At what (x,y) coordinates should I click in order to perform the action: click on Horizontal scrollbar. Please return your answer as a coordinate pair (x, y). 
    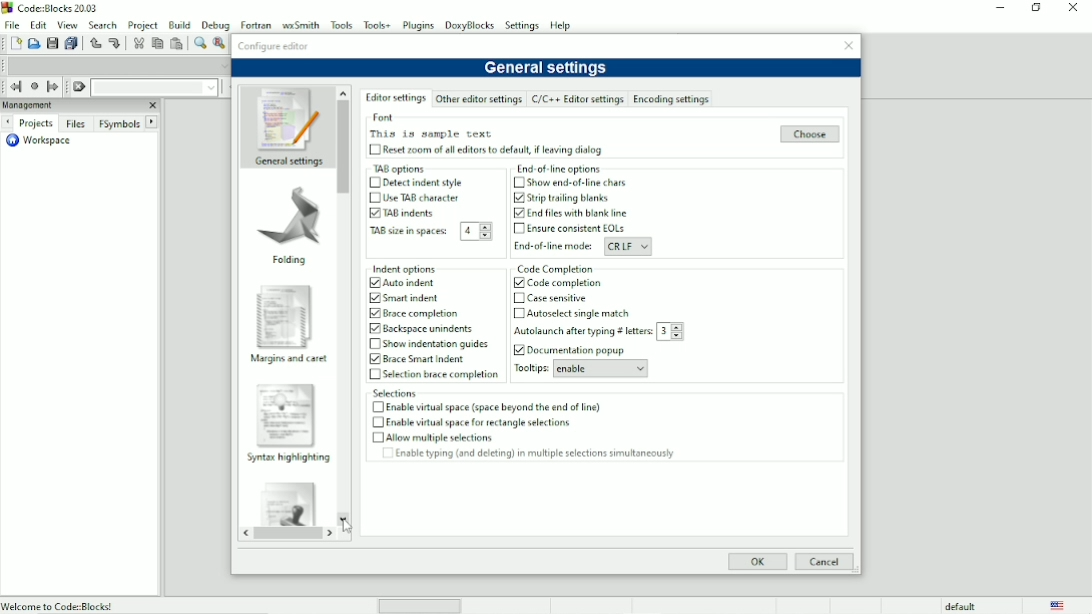
    Looking at the image, I should click on (287, 535).